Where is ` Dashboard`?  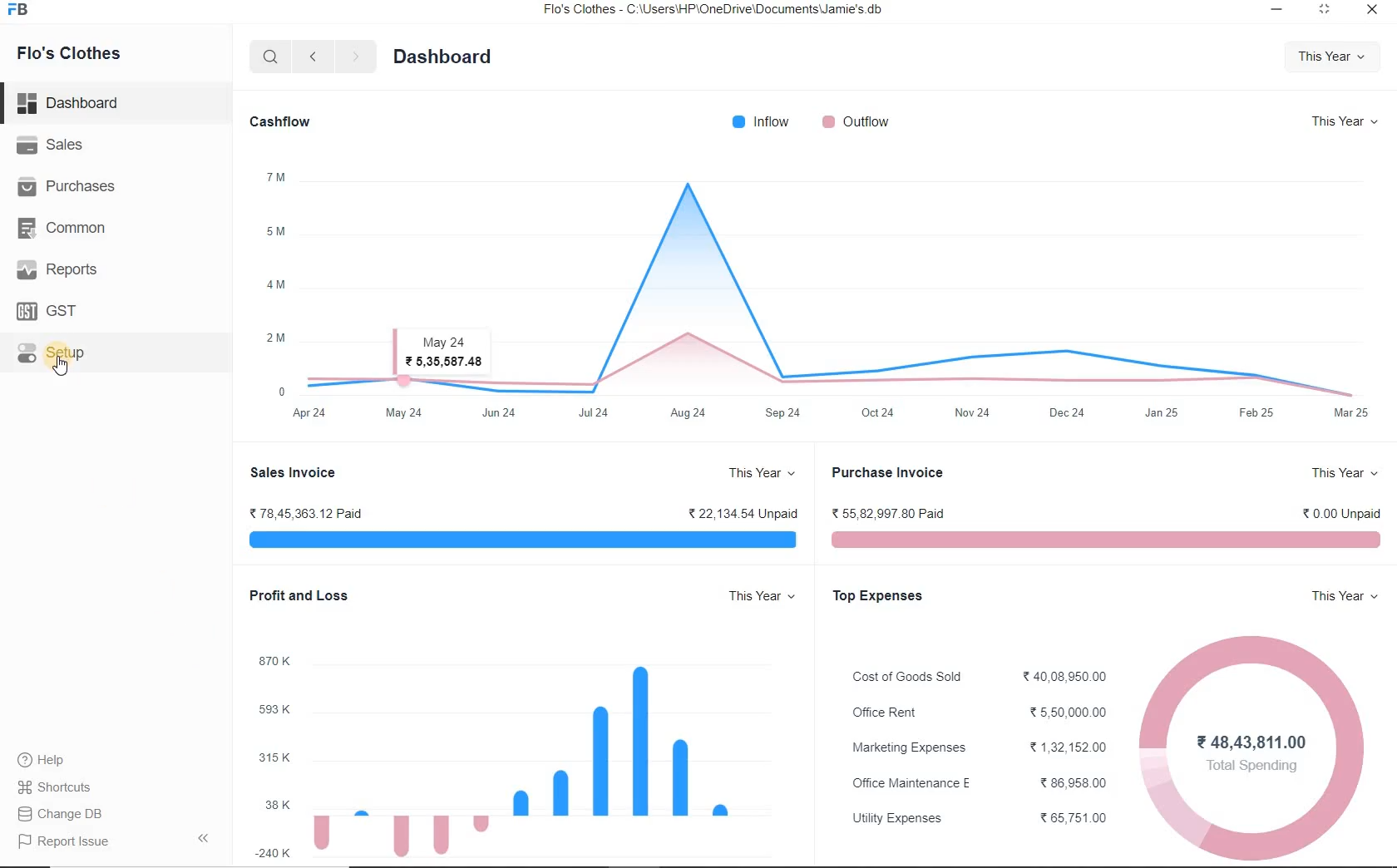
 Dashboard is located at coordinates (444, 58).